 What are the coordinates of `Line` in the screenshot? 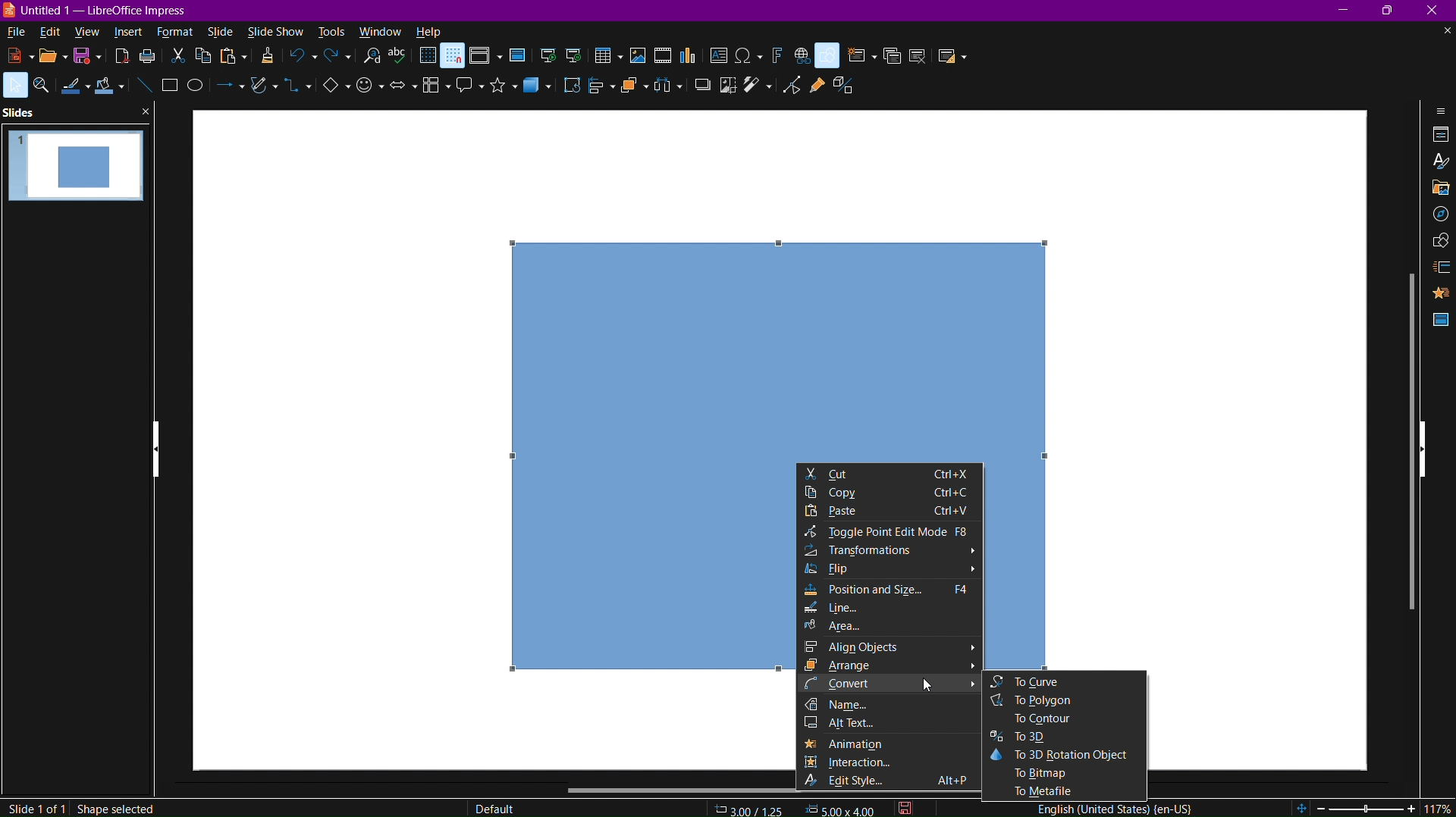 It's located at (144, 86).